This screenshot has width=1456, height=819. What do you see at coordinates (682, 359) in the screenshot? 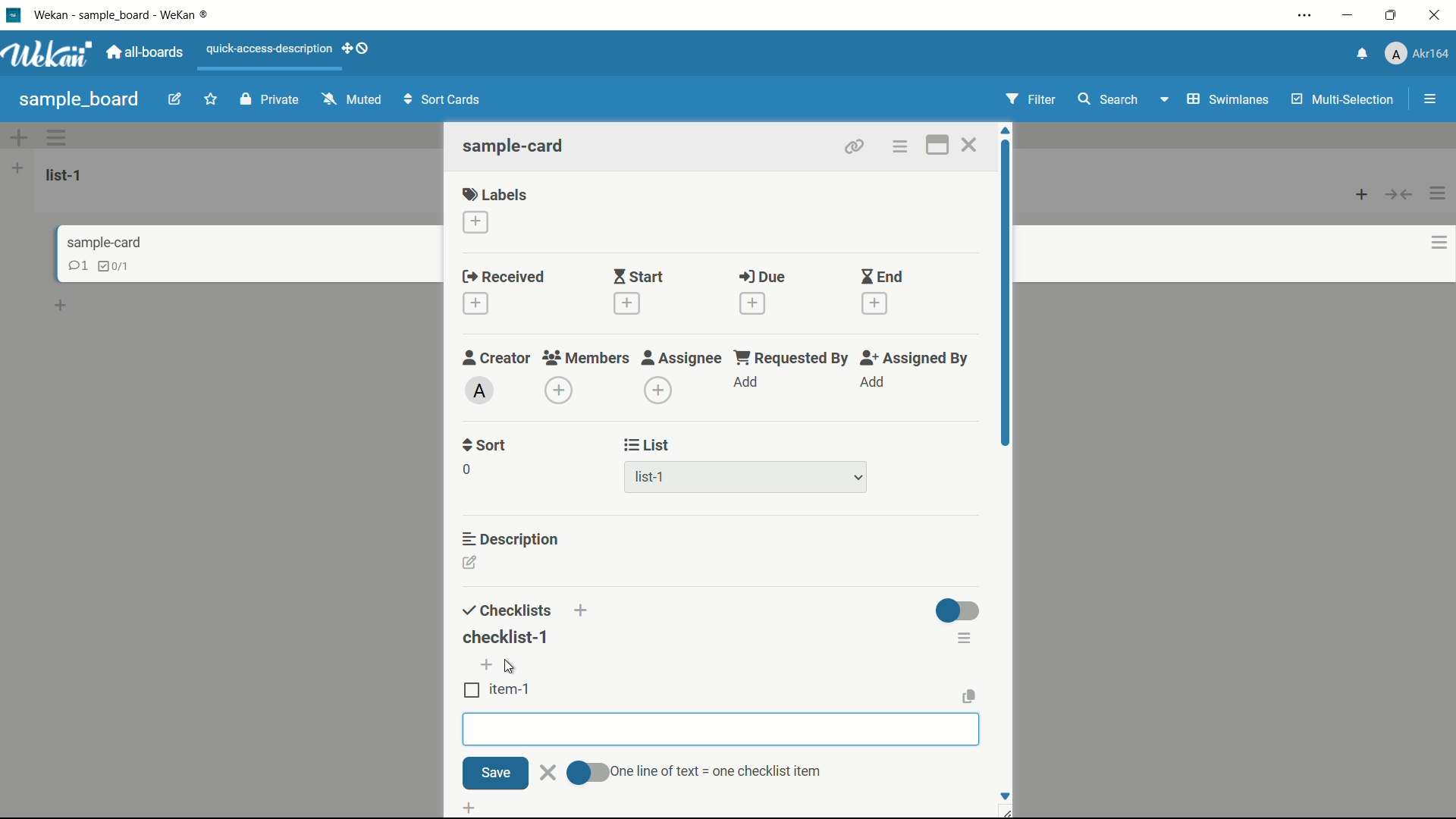
I see `assignee` at bounding box center [682, 359].